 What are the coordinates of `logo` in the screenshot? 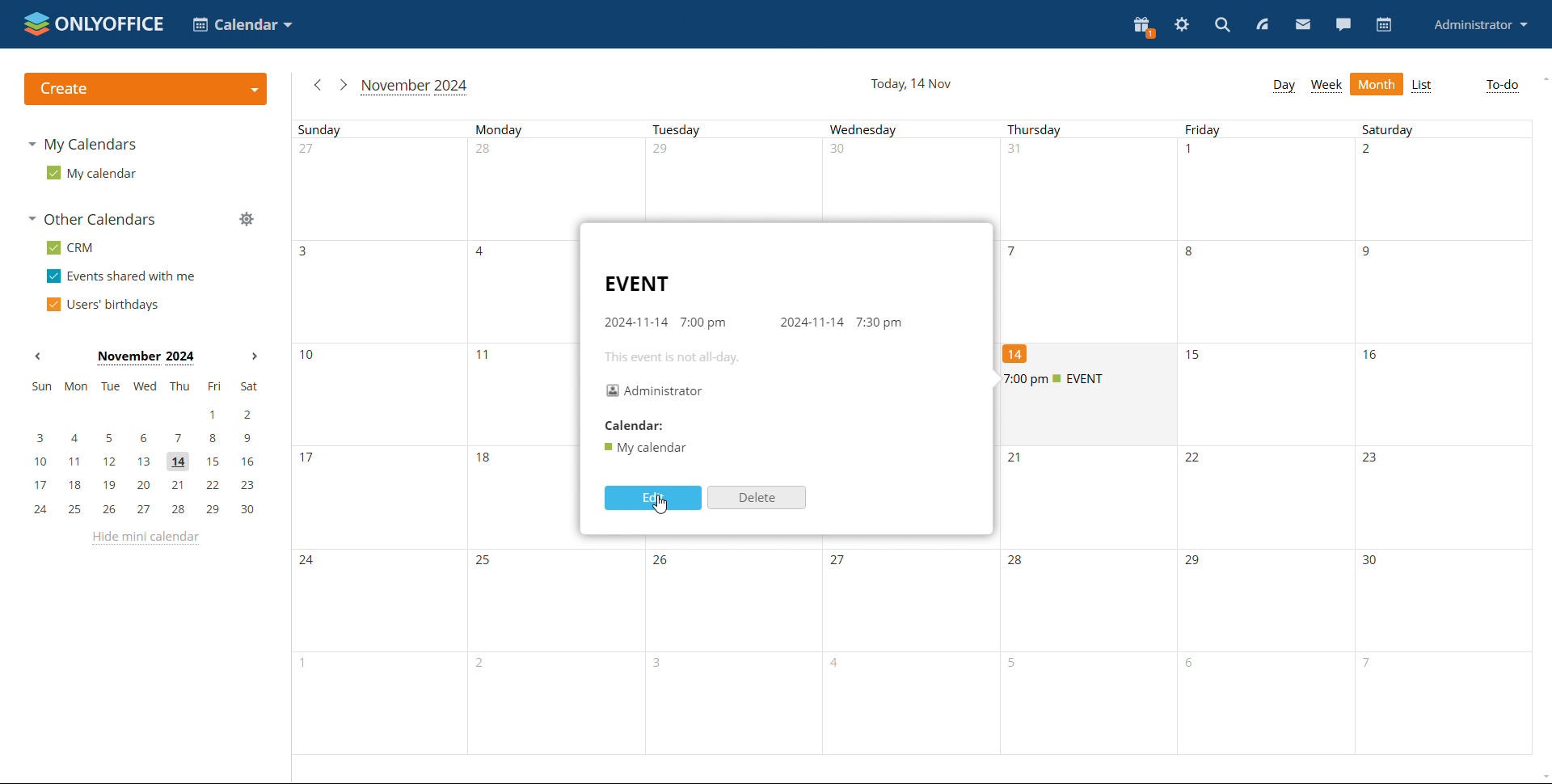 It's located at (147, 89).